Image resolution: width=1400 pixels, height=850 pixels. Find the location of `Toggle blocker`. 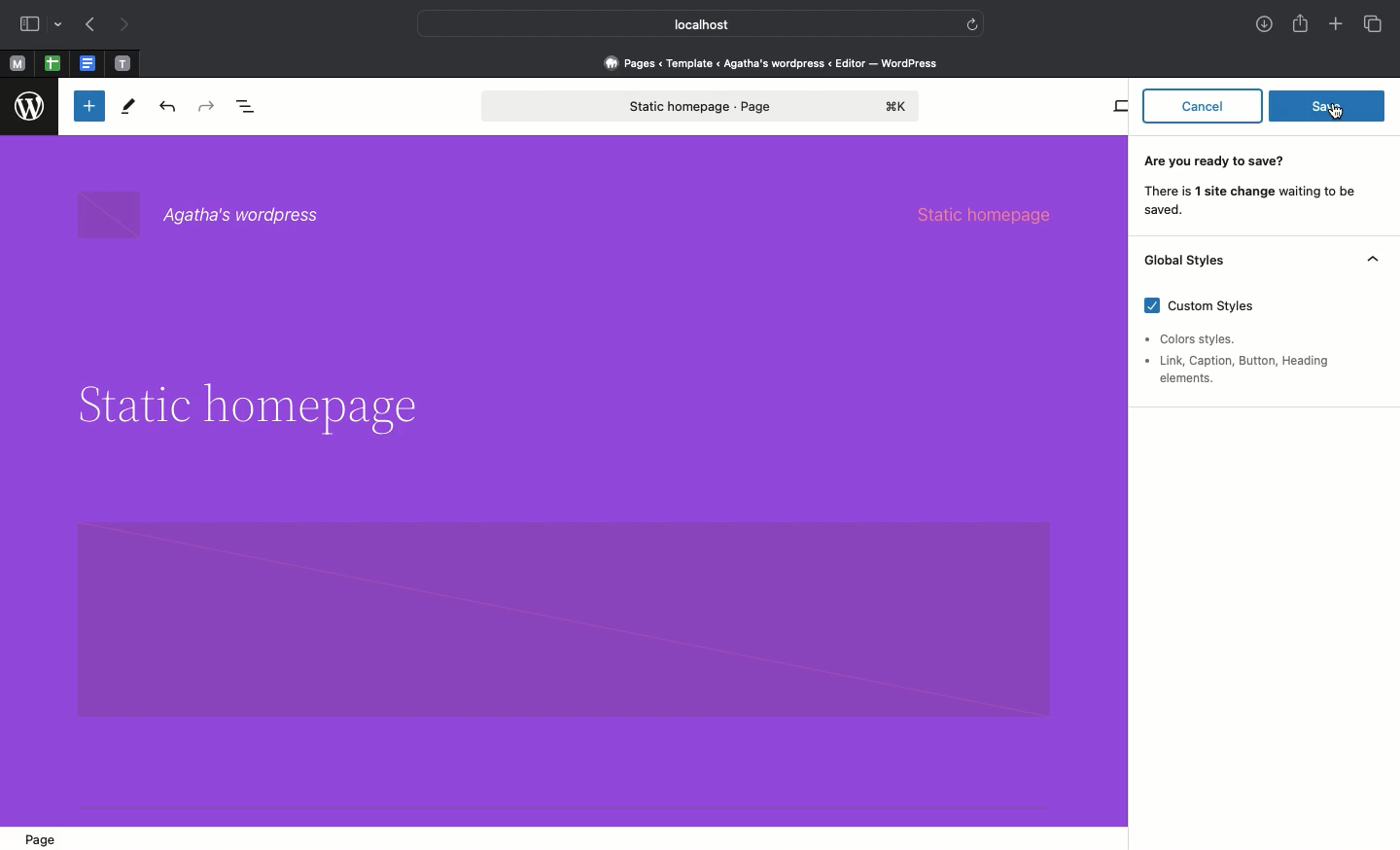

Toggle blocker is located at coordinates (89, 106).